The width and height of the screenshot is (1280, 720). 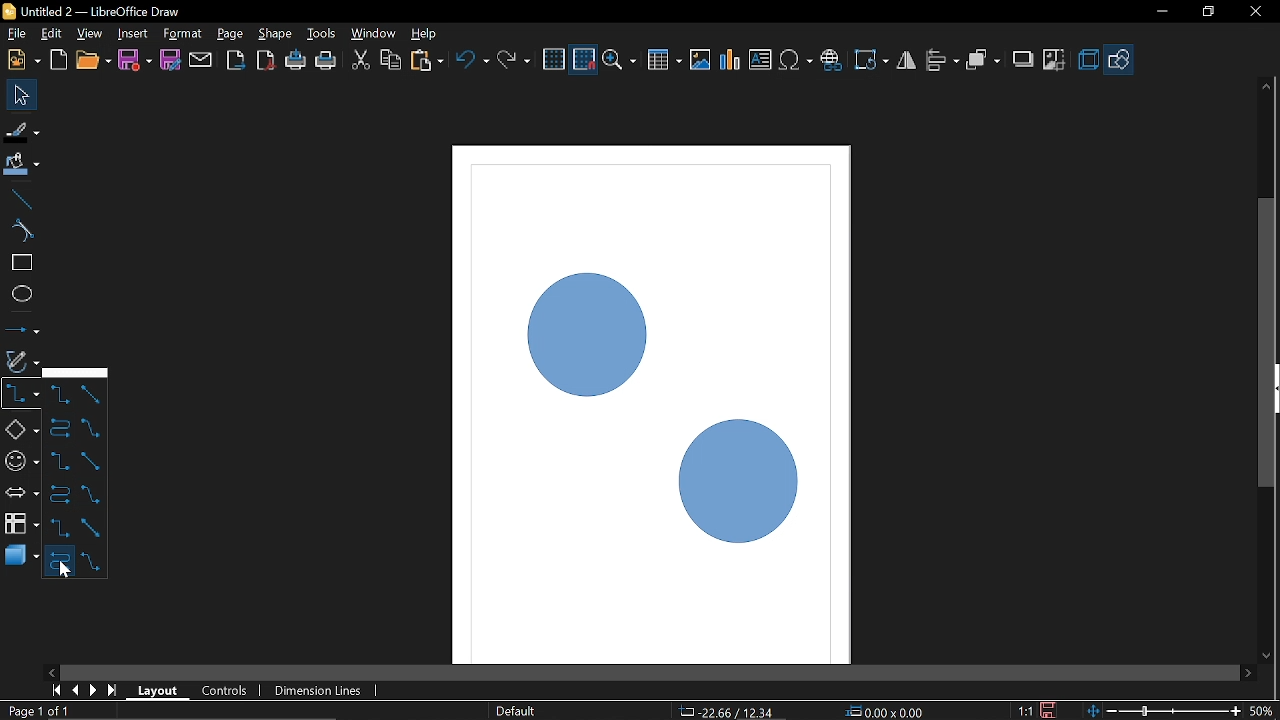 What do you see at coordinates (22, 95) in the screenshot?
I see `Select` at bounding box center [22, 95].